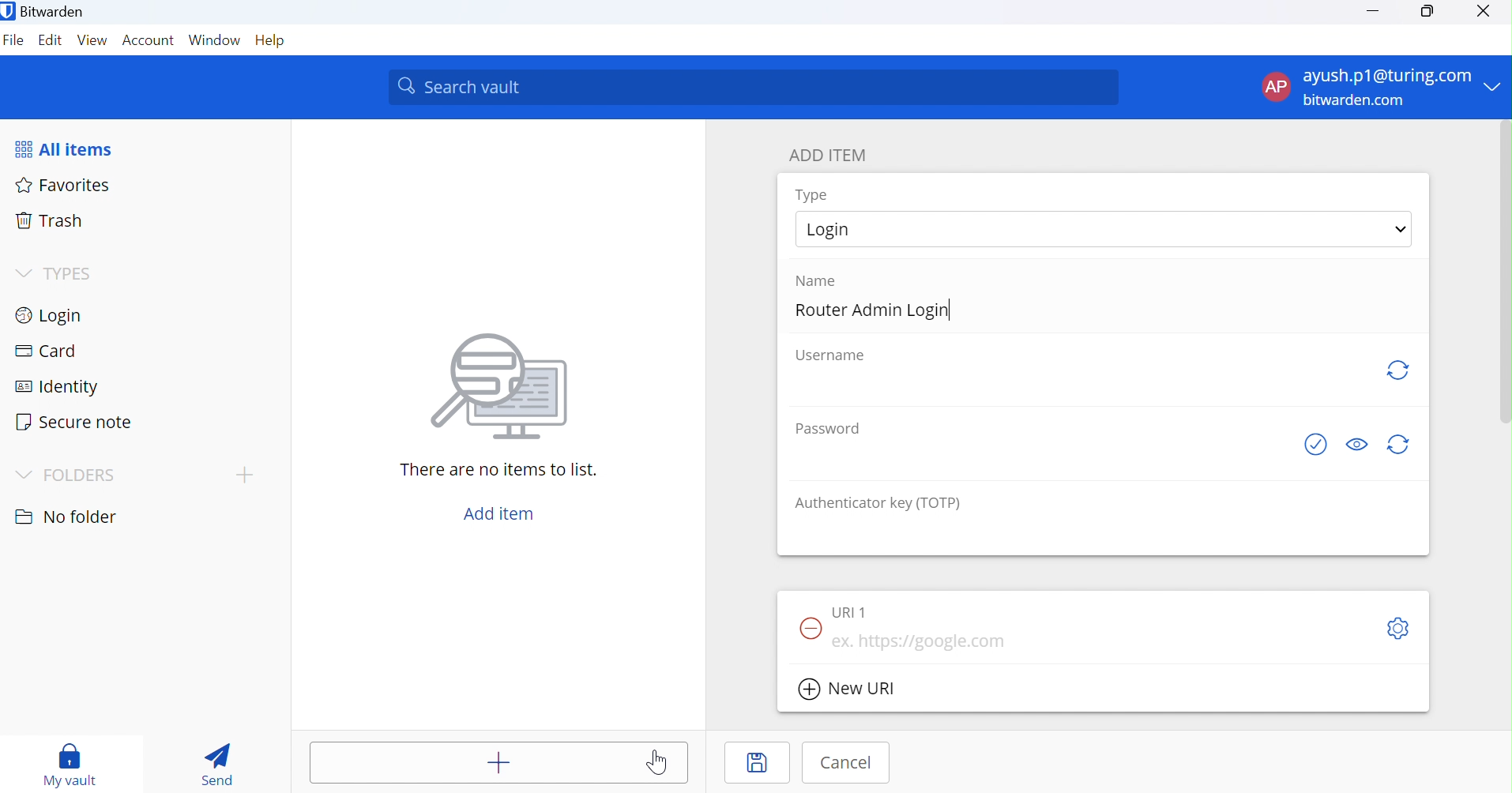  I want to click on New URI, so click(851, 690).